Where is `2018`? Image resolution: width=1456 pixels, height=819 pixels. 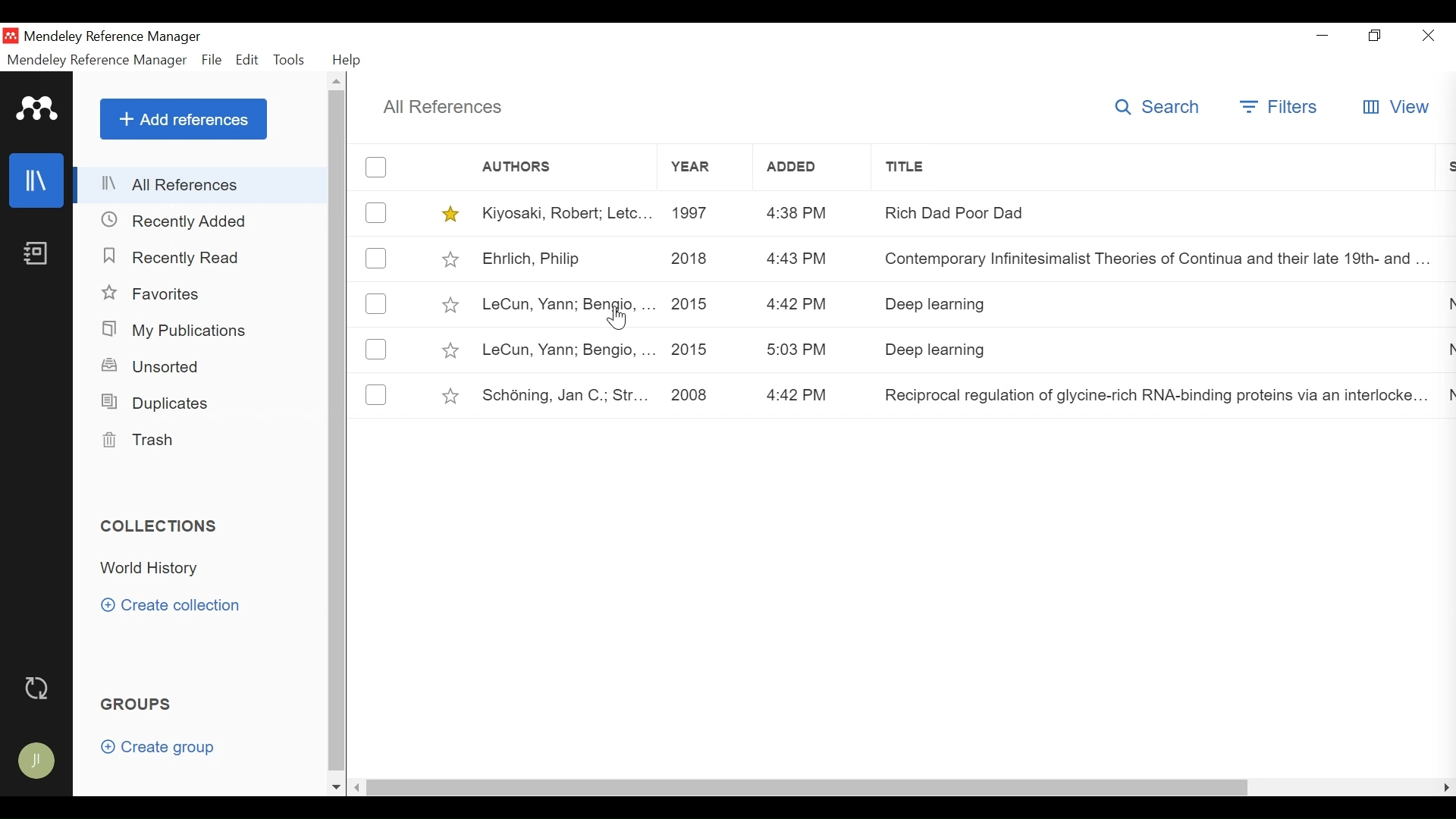 2018 is located at coordinates (691, 260).